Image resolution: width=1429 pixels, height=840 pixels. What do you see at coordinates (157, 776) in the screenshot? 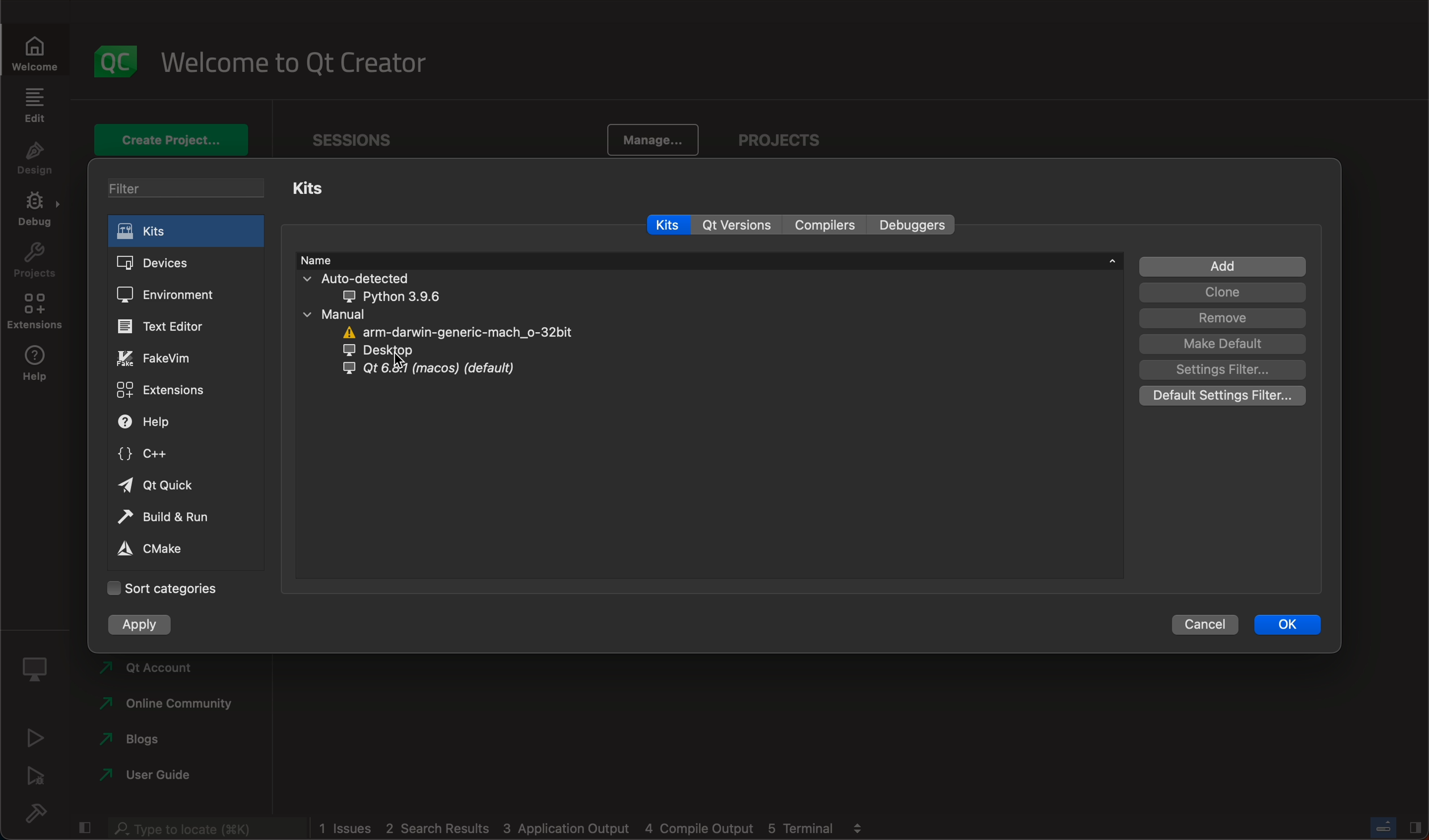
I see `user guide` at bounding box center [157, 776].